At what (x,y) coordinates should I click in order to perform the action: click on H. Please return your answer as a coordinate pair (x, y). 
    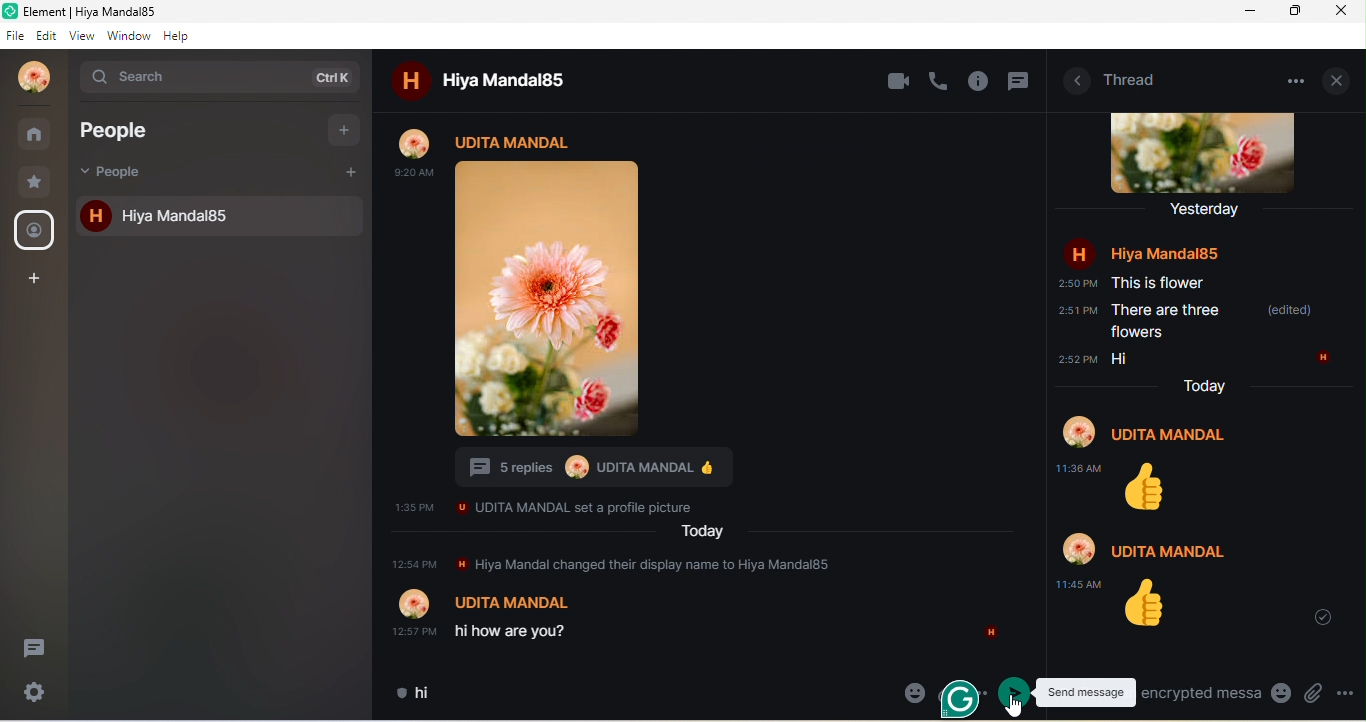
    Looking at the image, I should click on (1323, 358).